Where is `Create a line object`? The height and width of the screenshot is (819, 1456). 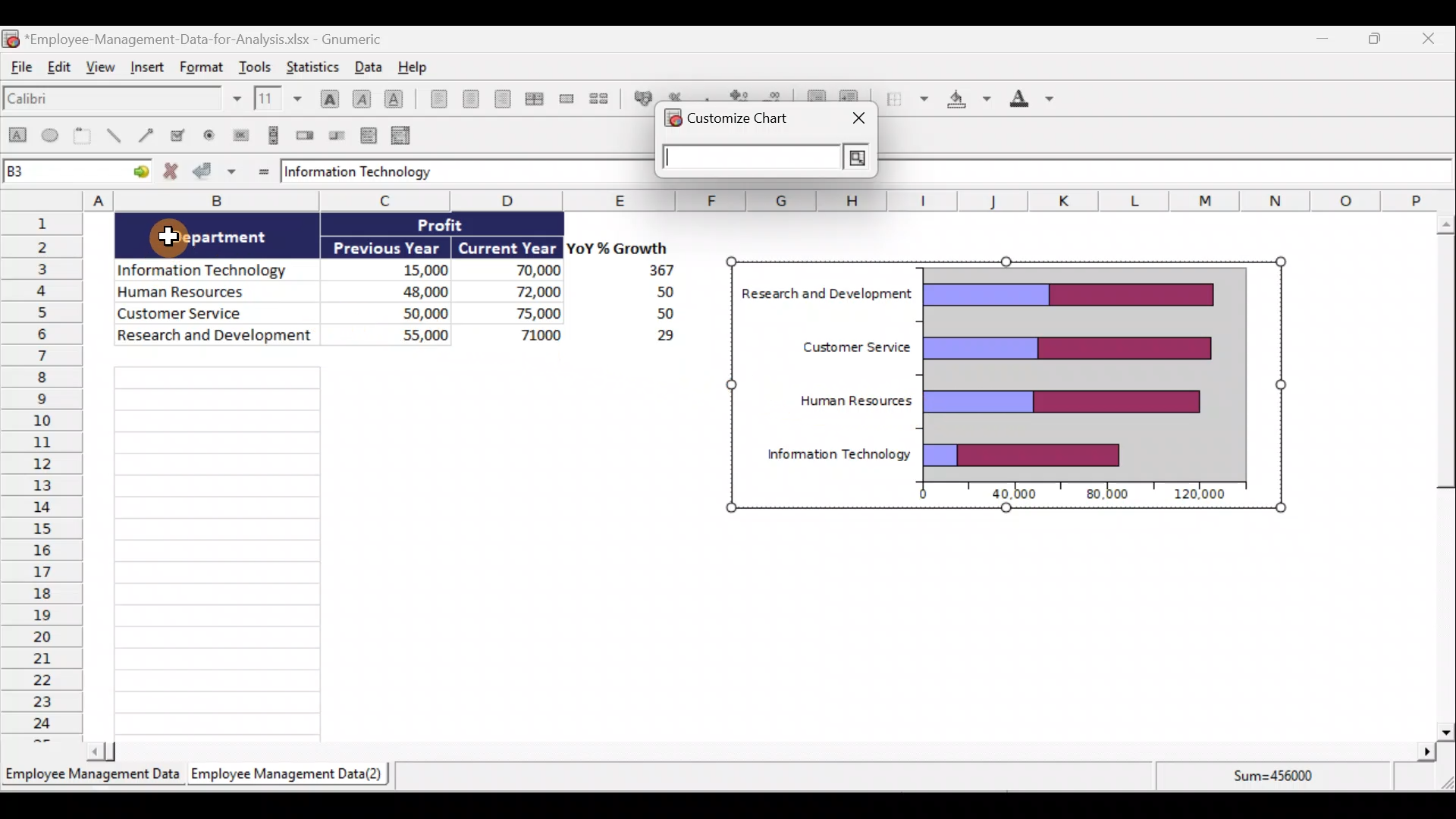 Create a line object is located at coordinates (113, 137).